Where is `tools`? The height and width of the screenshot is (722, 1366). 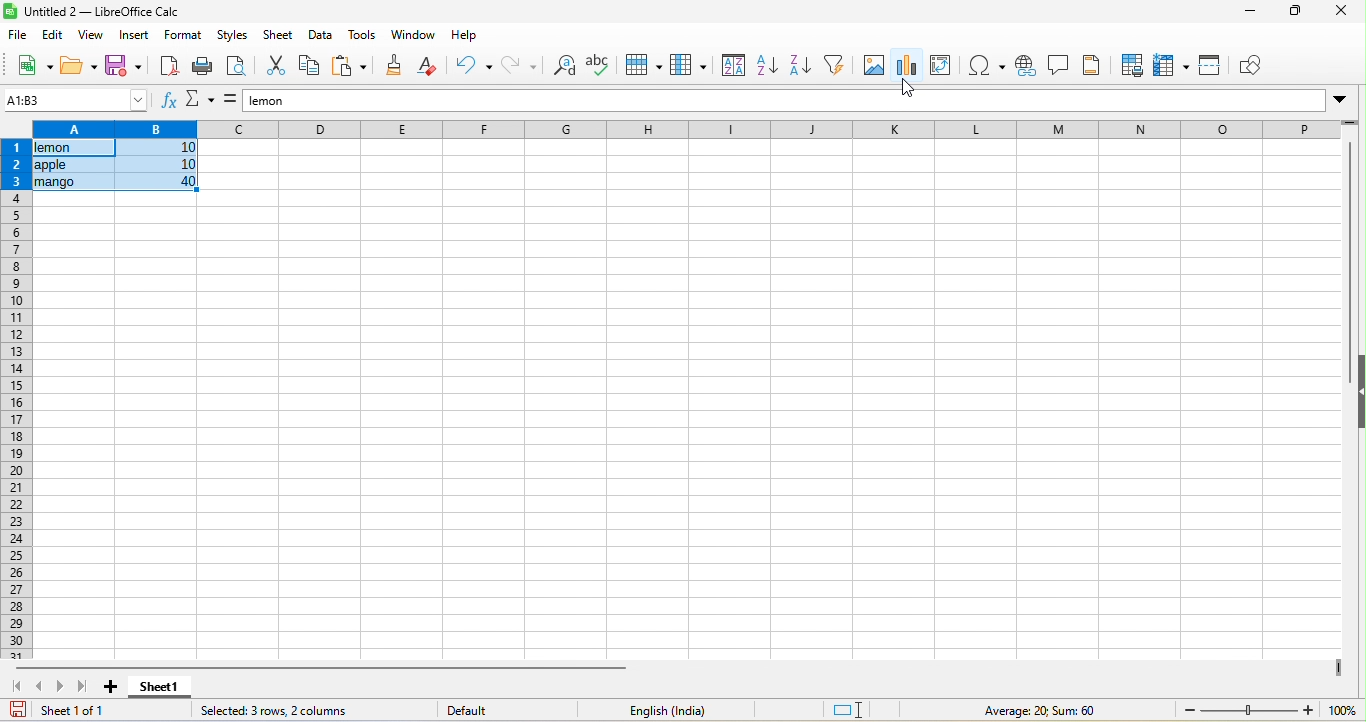
tools is located at coordinates (365, 34).